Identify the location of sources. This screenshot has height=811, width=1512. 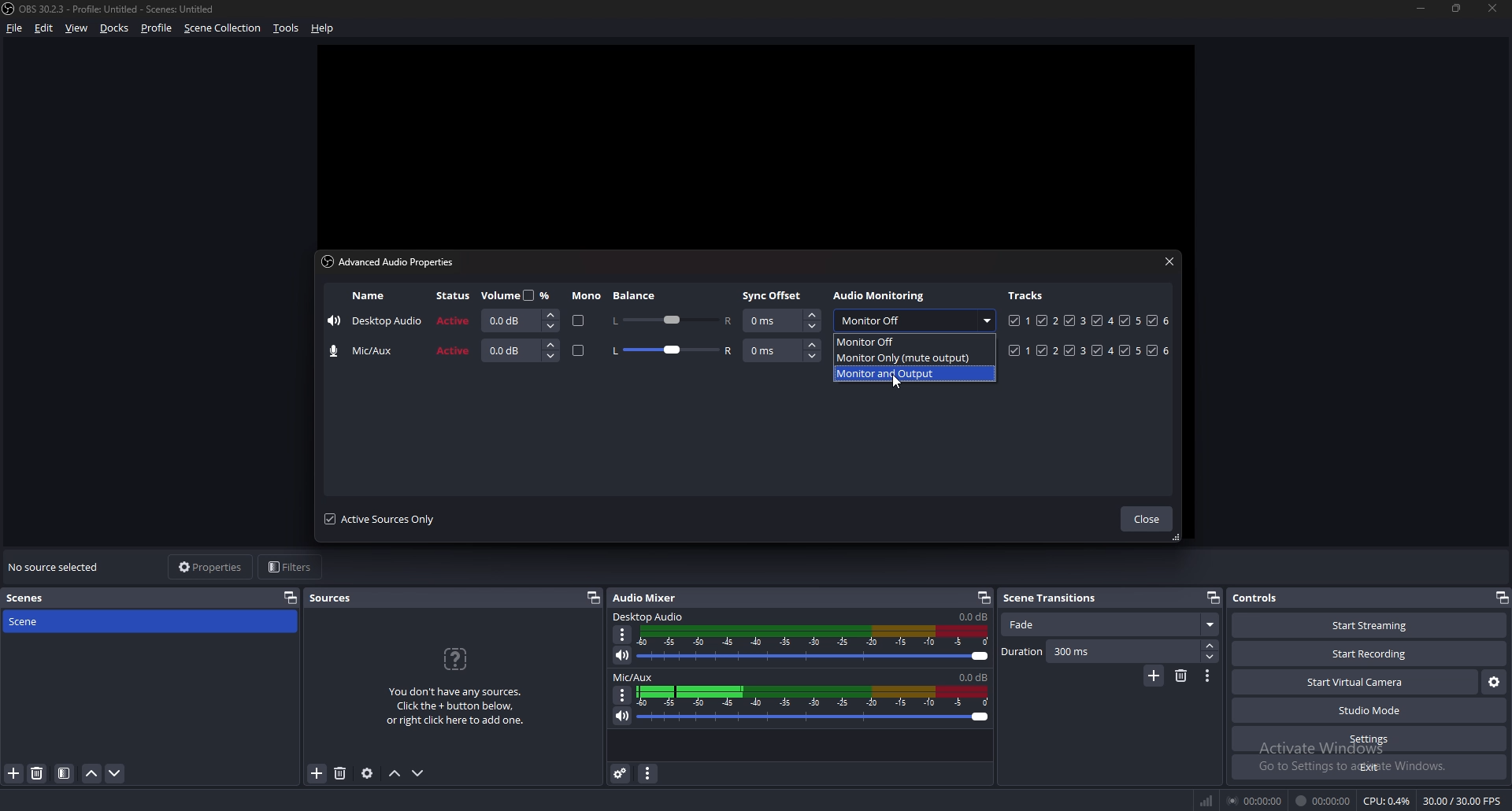
(337, 598).